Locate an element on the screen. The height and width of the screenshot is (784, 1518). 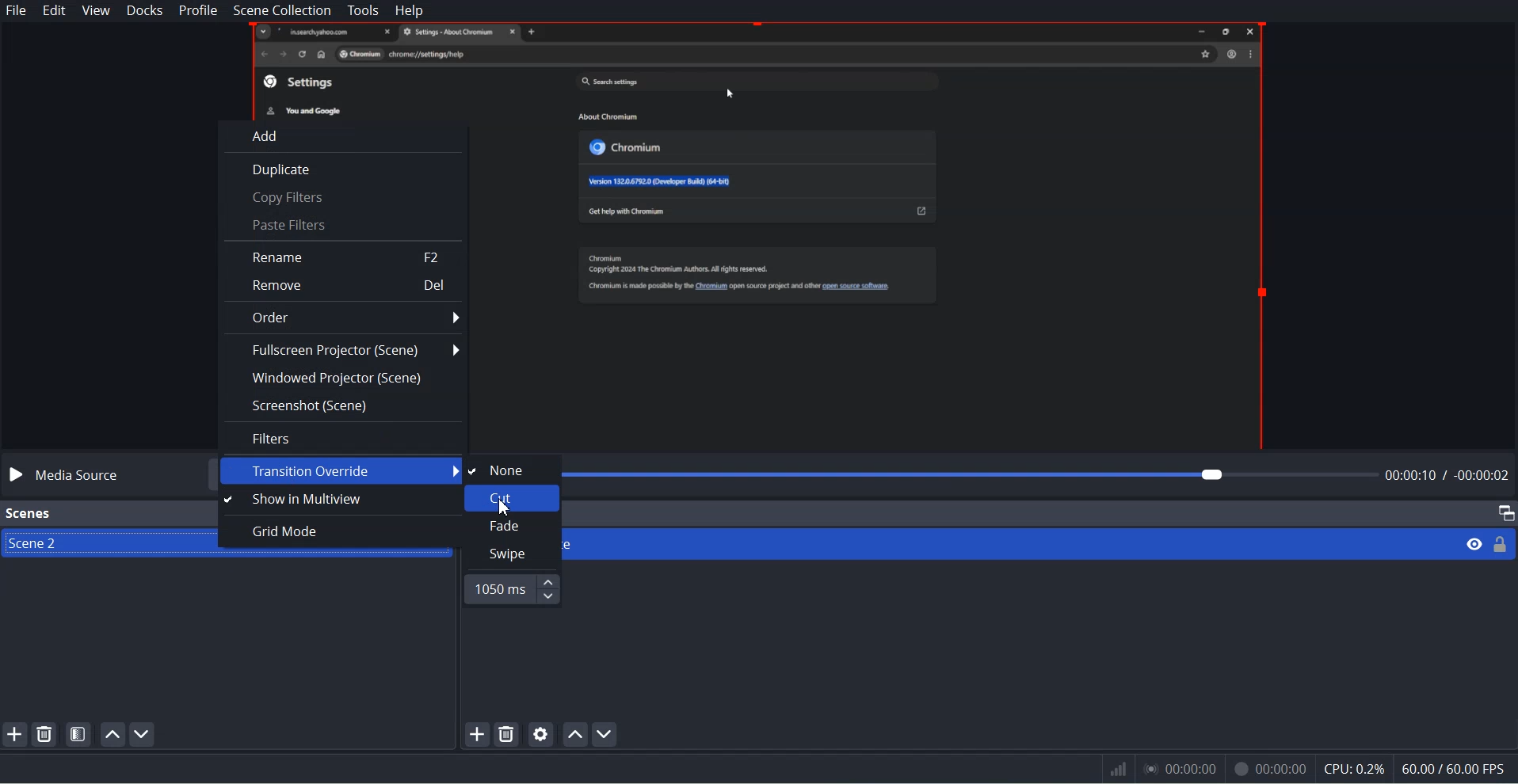
Media source is located at coordinates (66, 476).